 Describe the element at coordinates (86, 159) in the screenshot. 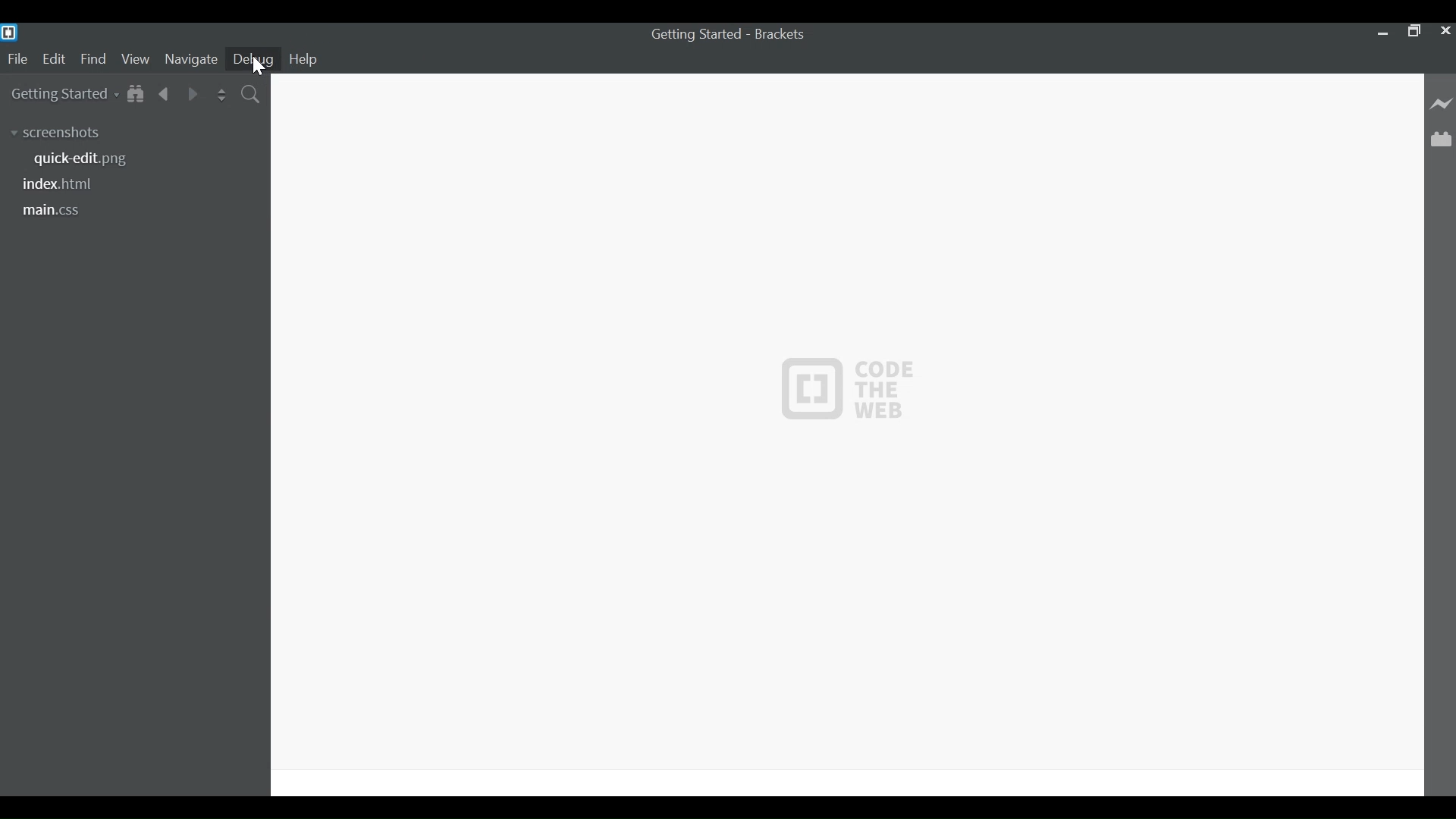

I see `quick-edit.png` at that location.